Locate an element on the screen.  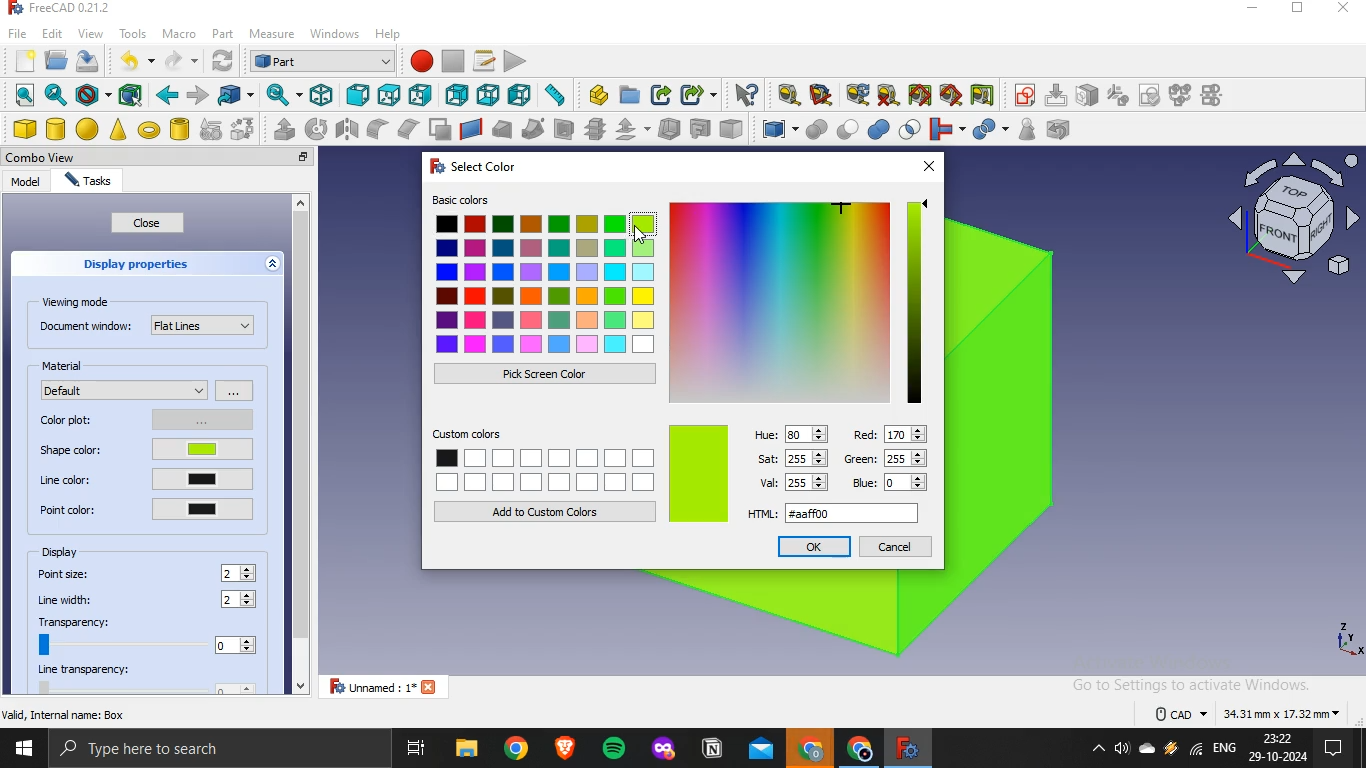
shape color is located at coordinates (141, 451).